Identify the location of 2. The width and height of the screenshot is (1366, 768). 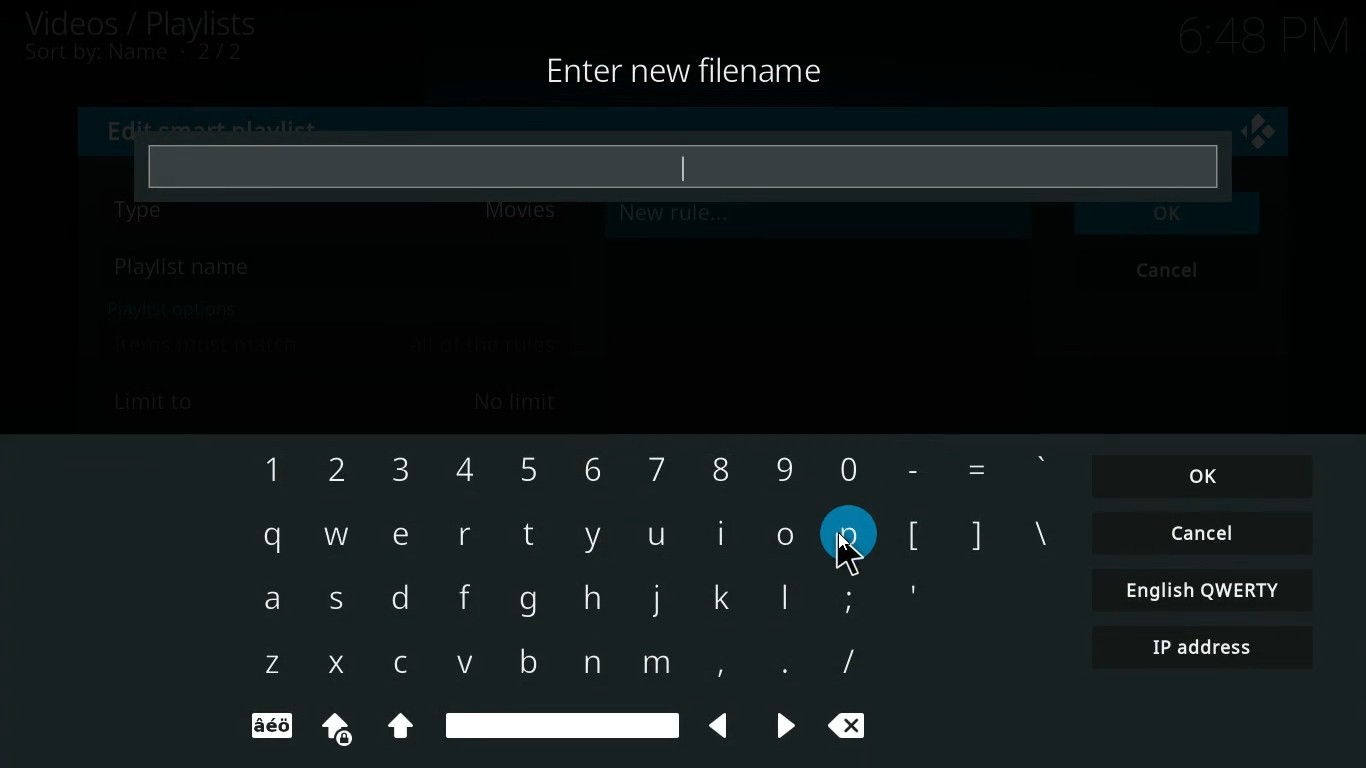
(329, 471).